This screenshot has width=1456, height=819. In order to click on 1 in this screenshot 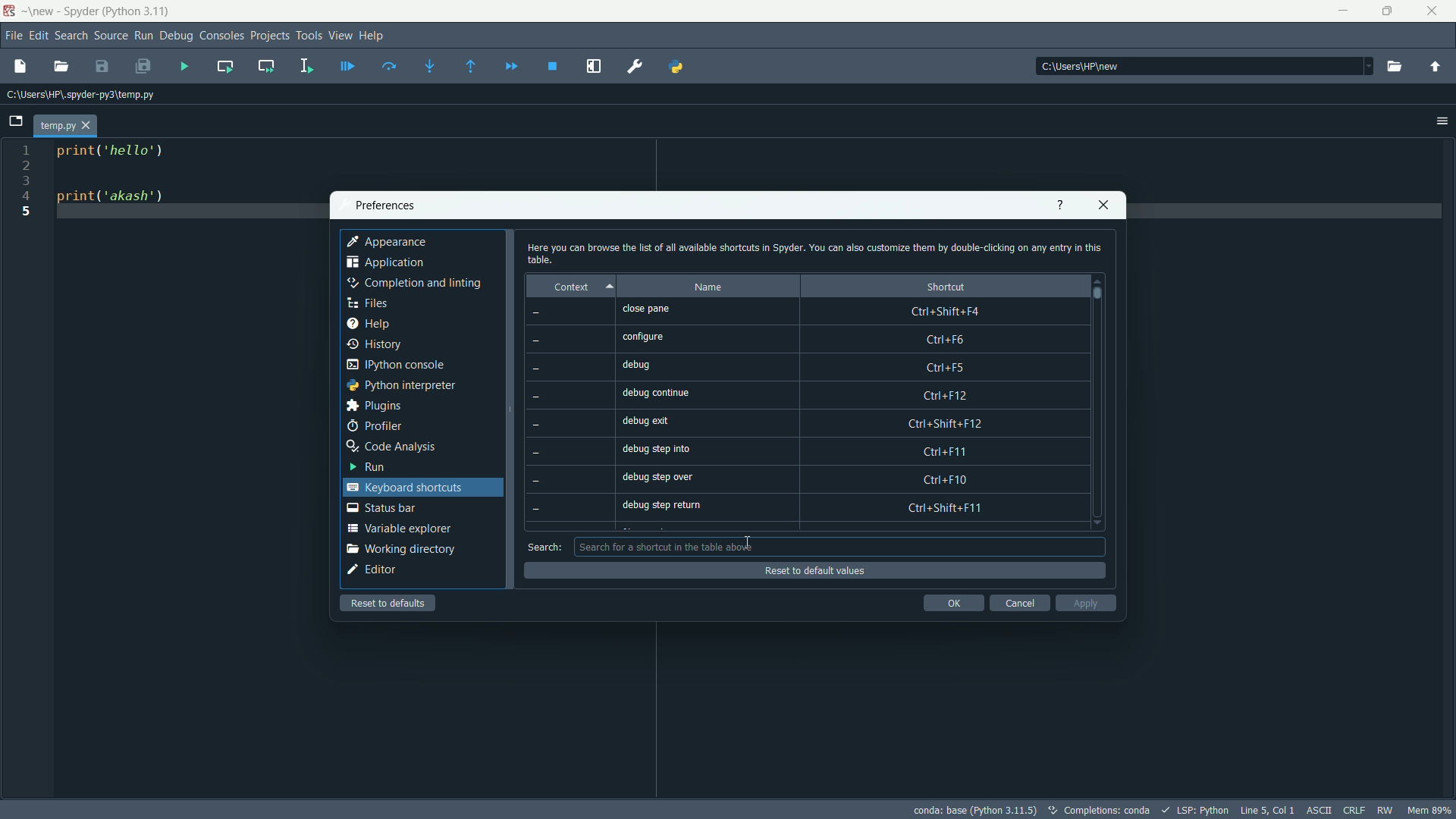, I will do `click(29, 148)`.